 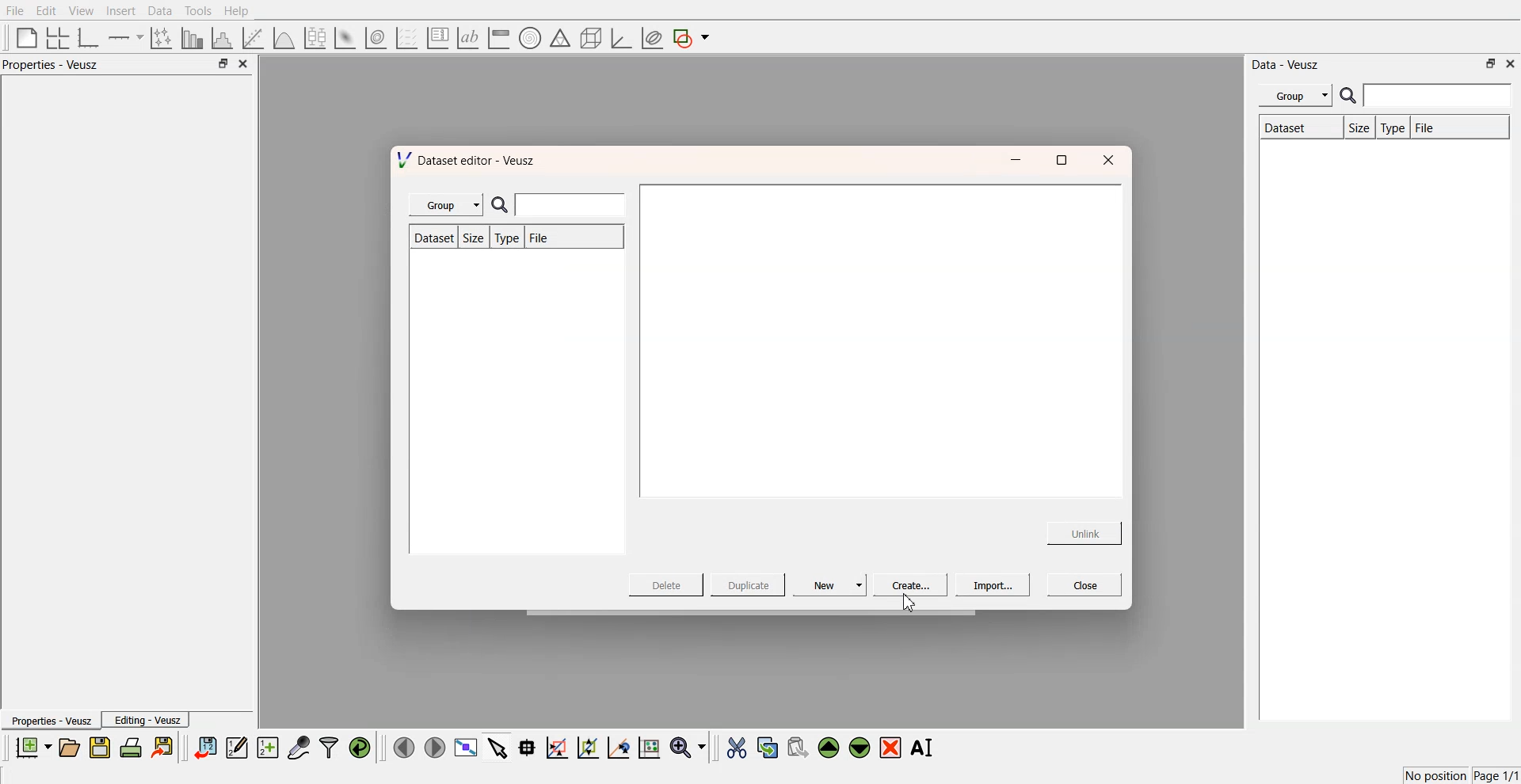 What do you see at coordinates (434, 746) in the screenshot?
I see `move right` at bounding box center [434, 746].